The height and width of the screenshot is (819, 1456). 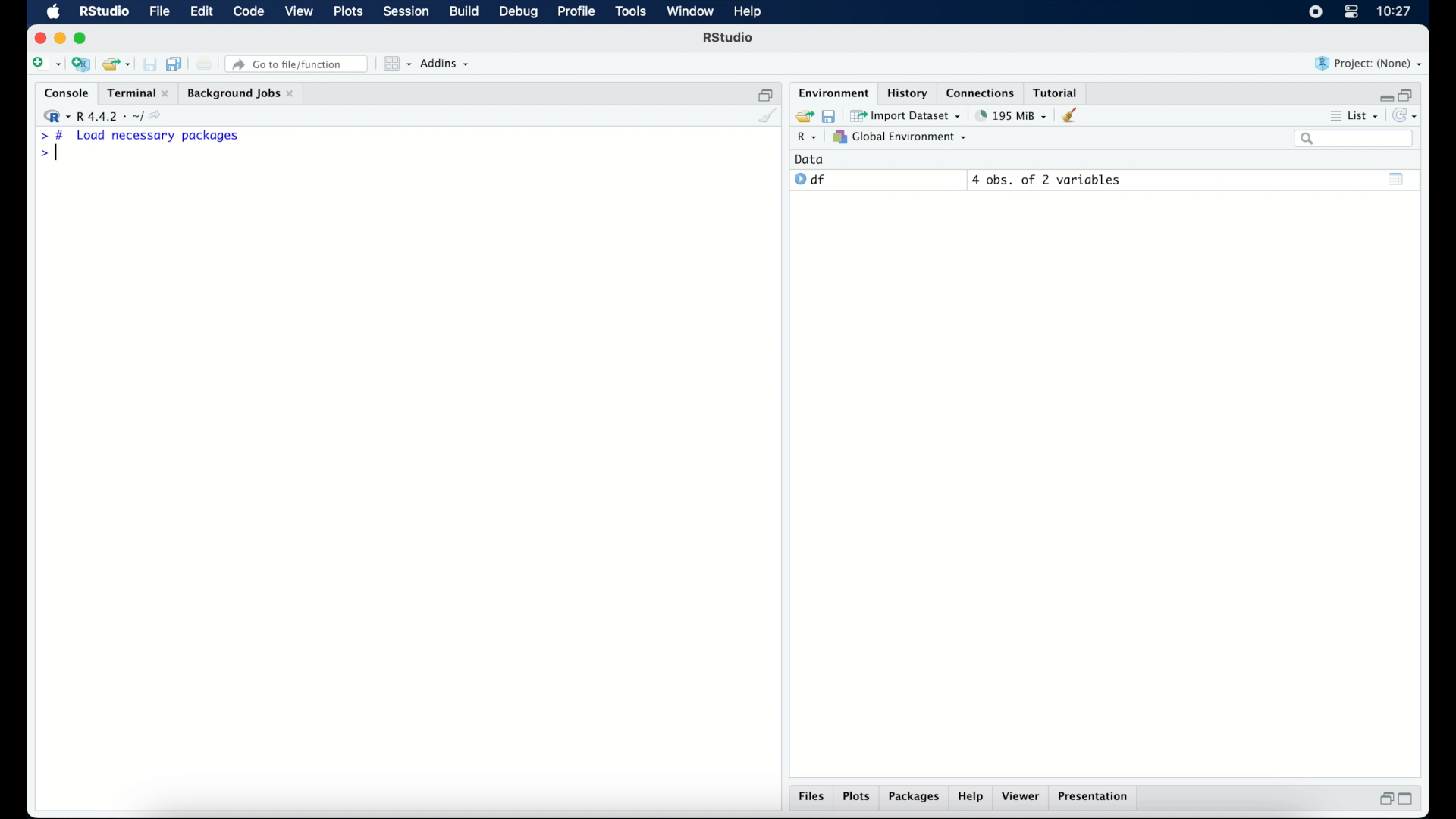 What do you see at coordinates (900, 137) in the screenshot?
I see `global environment` at bounding box center [900, 137].